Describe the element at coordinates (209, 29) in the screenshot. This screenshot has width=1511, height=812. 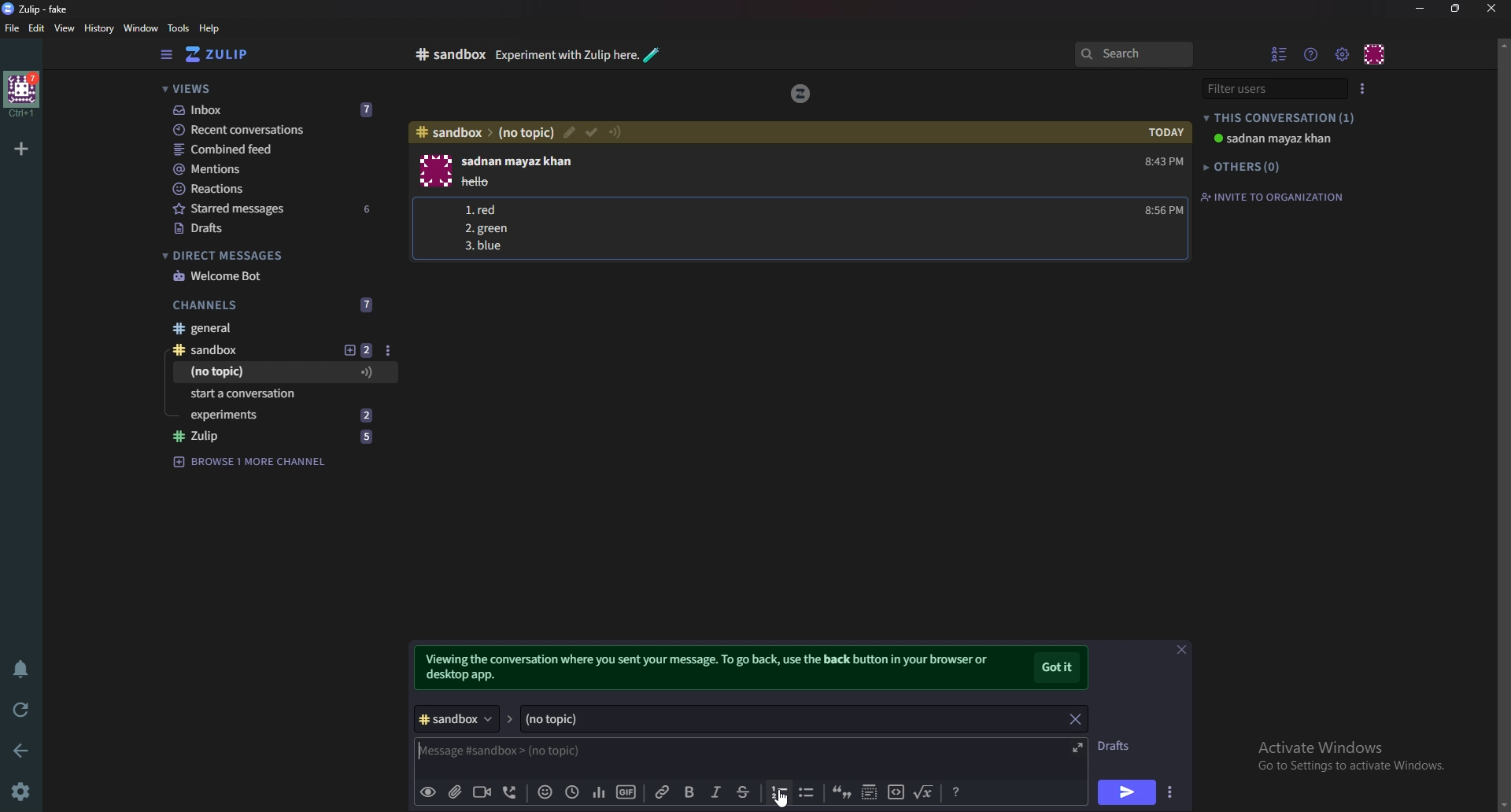
I see `help` at that location.